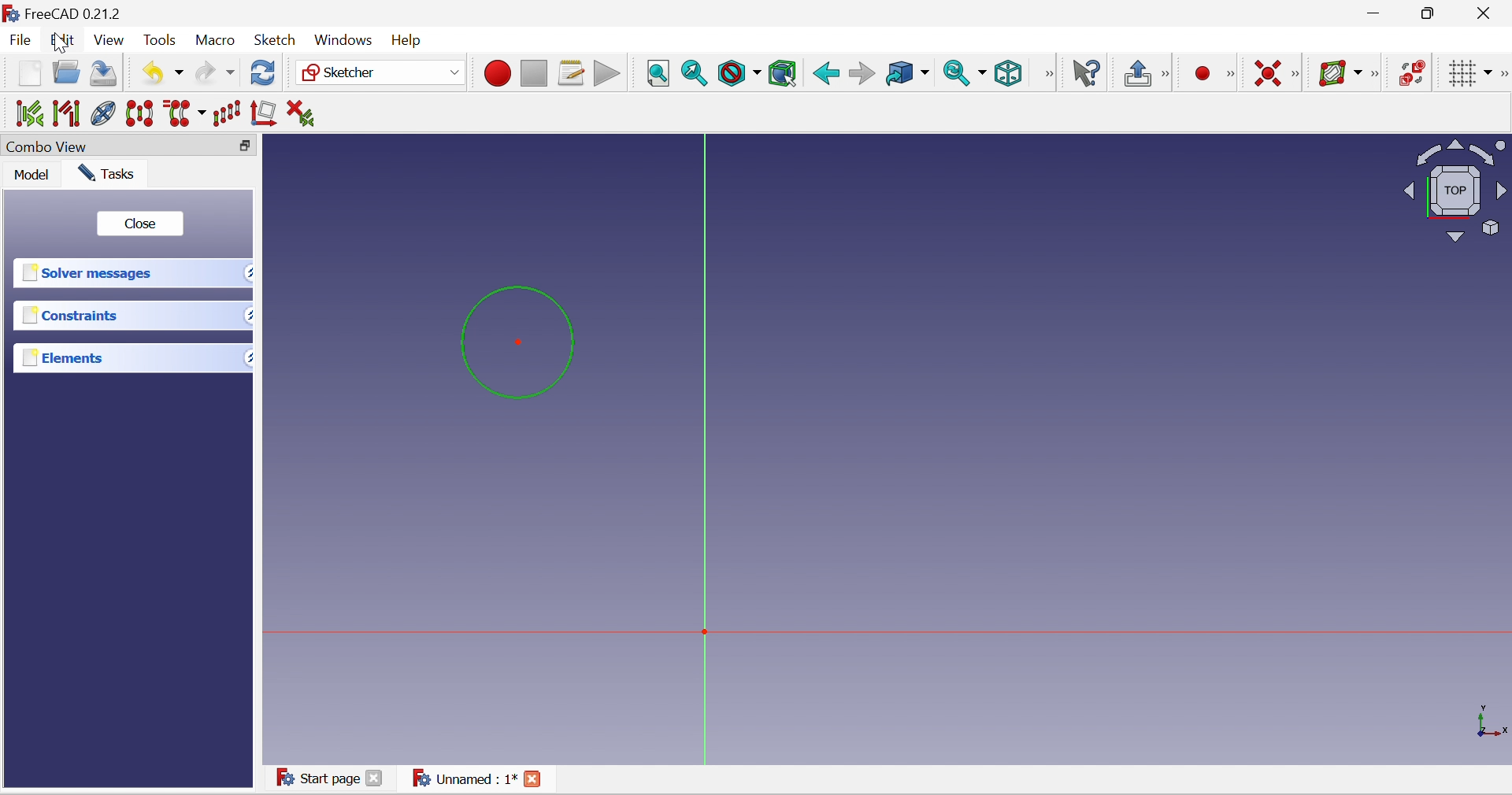 The width and height of the screenshot is (1512, 795). What do you see at coordinates (515, 342) in the screenshot?
I see `Circle` at bounding box center [515, 342].